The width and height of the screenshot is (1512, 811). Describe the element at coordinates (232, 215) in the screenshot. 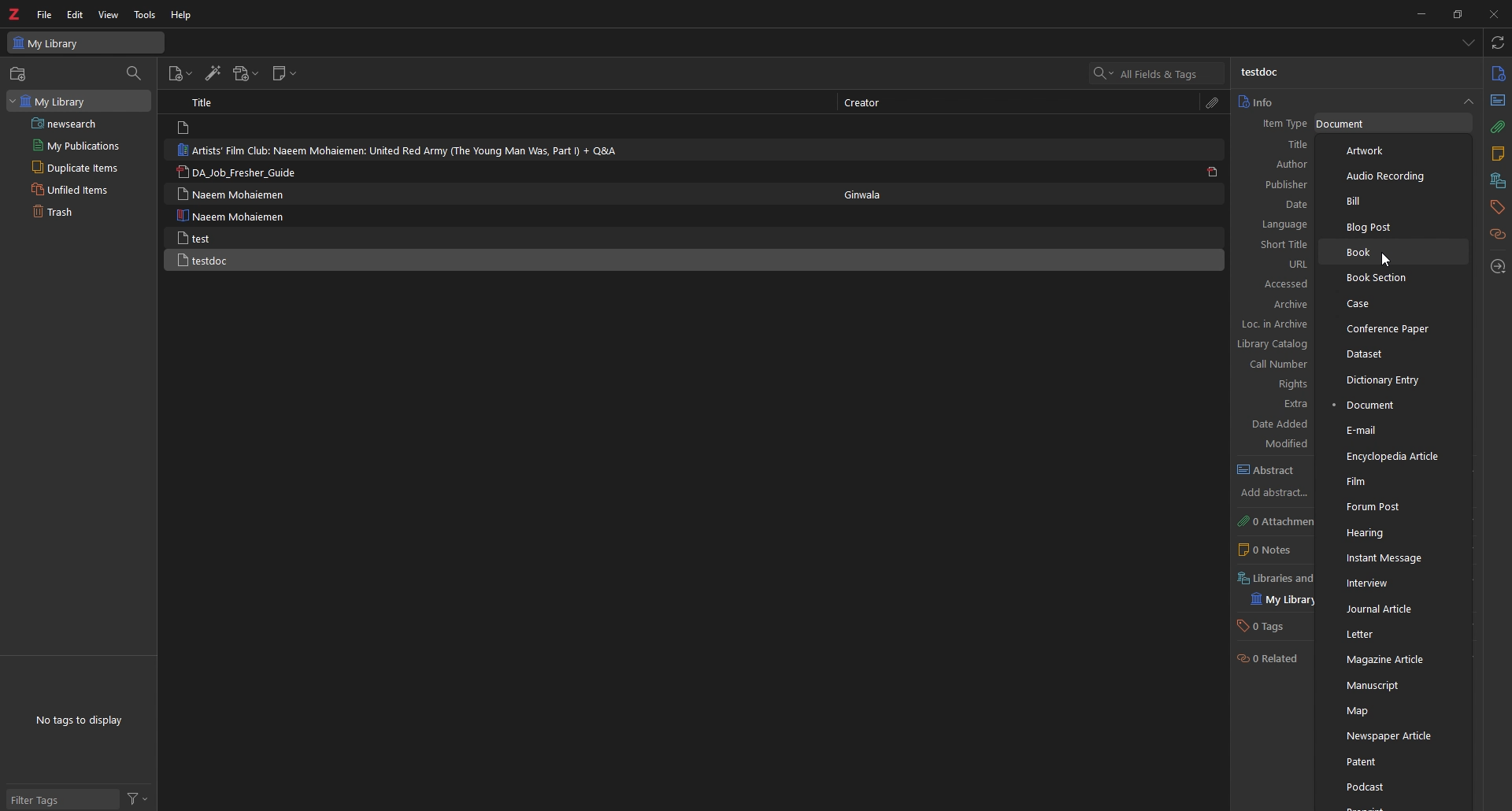

I see `Naeem Mohaiemen` at that location.